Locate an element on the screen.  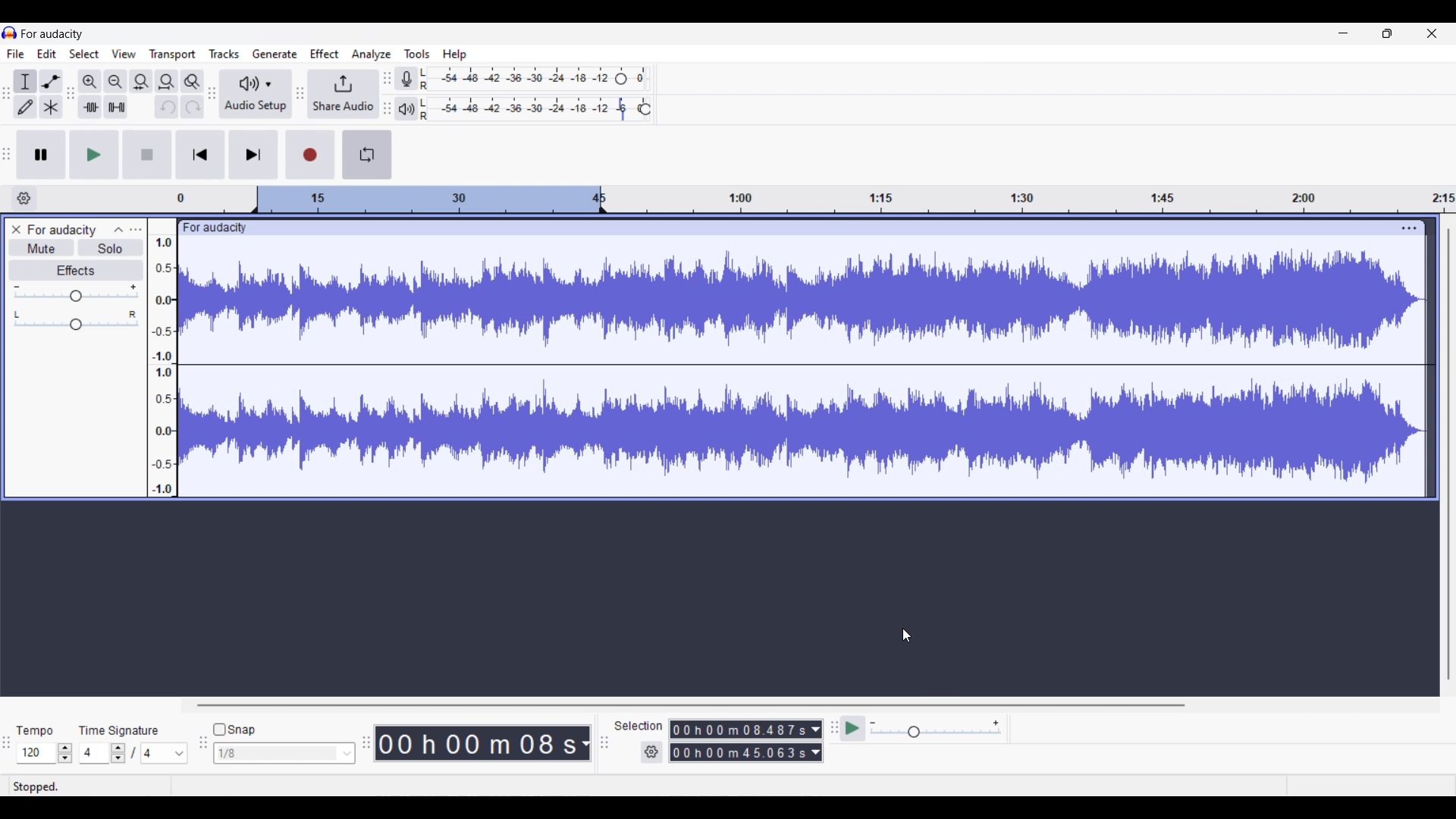
Increase/Decrease number is located at coordinates (118, 753).